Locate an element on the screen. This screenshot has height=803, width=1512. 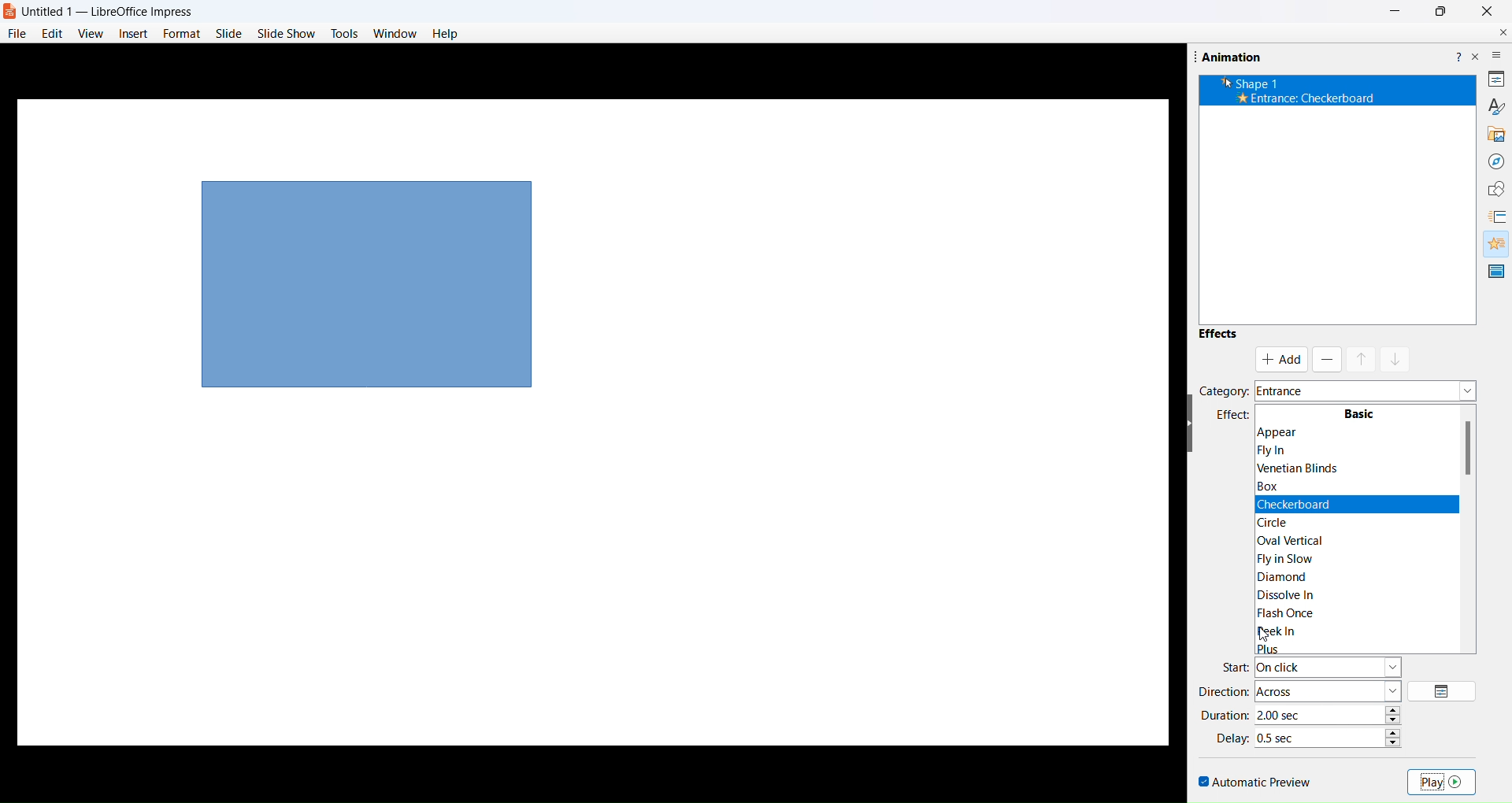
help is located at coordinates (1457, 54).